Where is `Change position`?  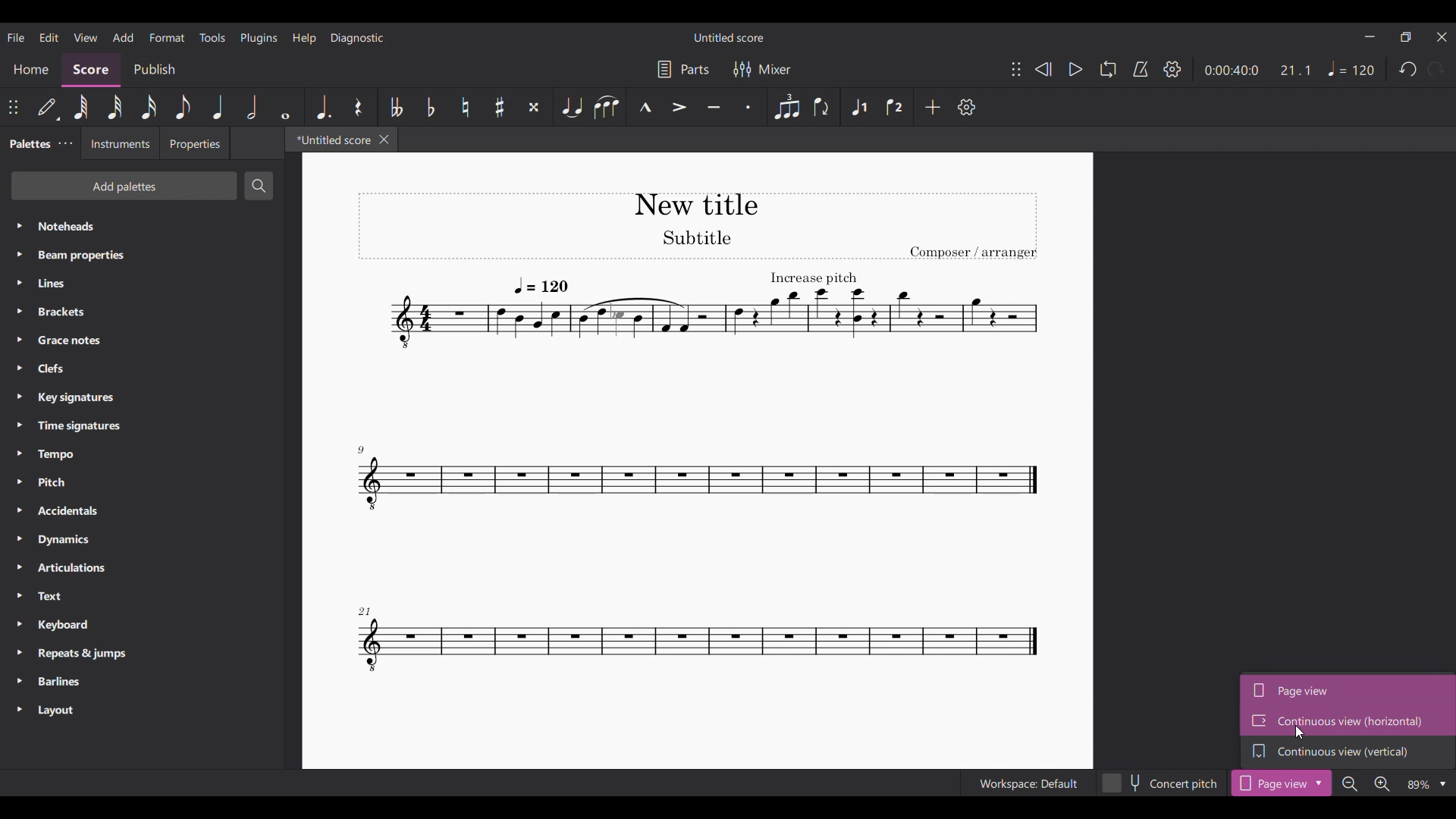 Change position is located at coordinates (1016, 69).